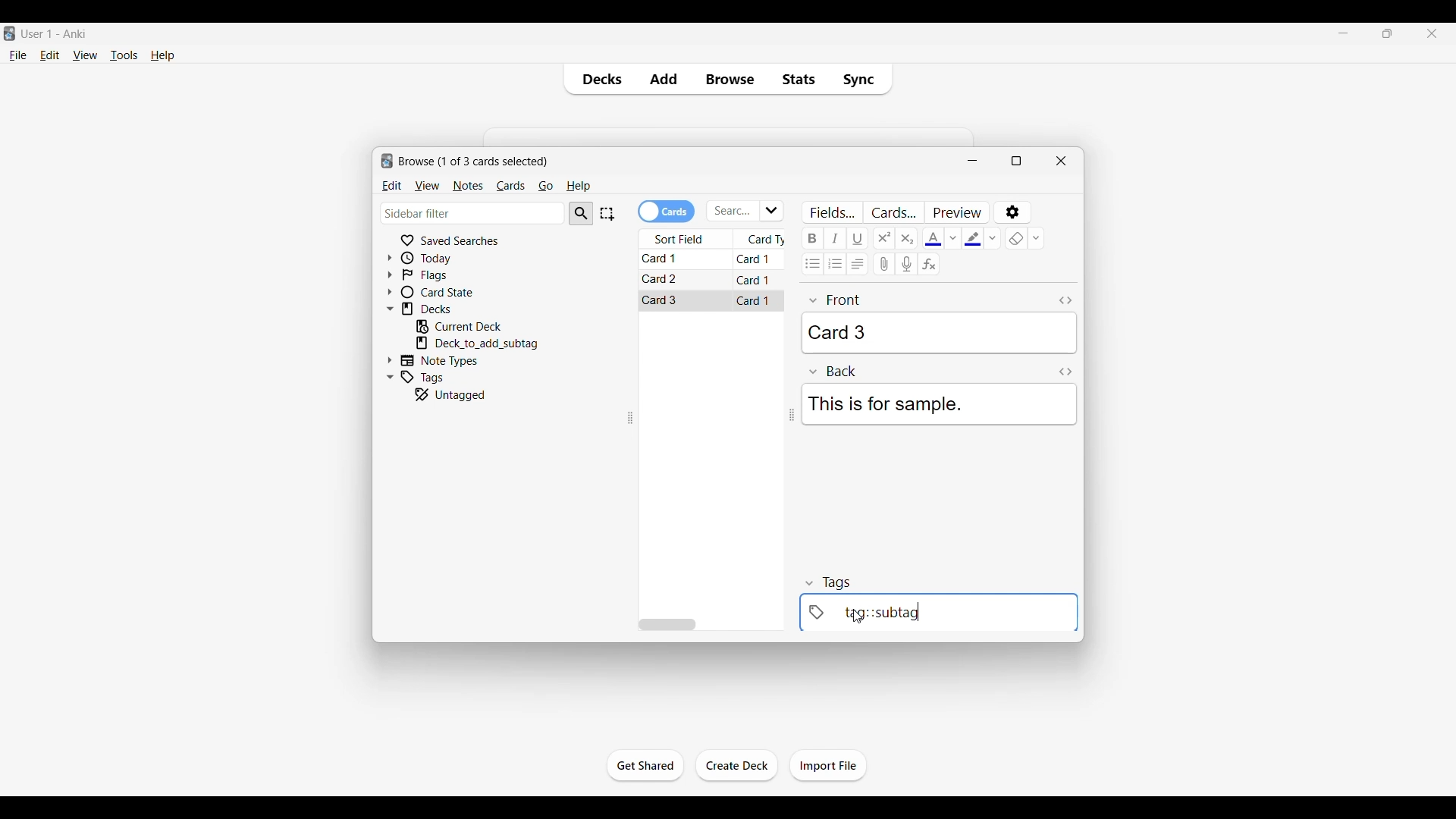 This screenshot has width=1456, height=819. What do you see at coordinates (449, 291) in the screenshot?
I see `Click to go to card state` at bounding box center [449, 291].